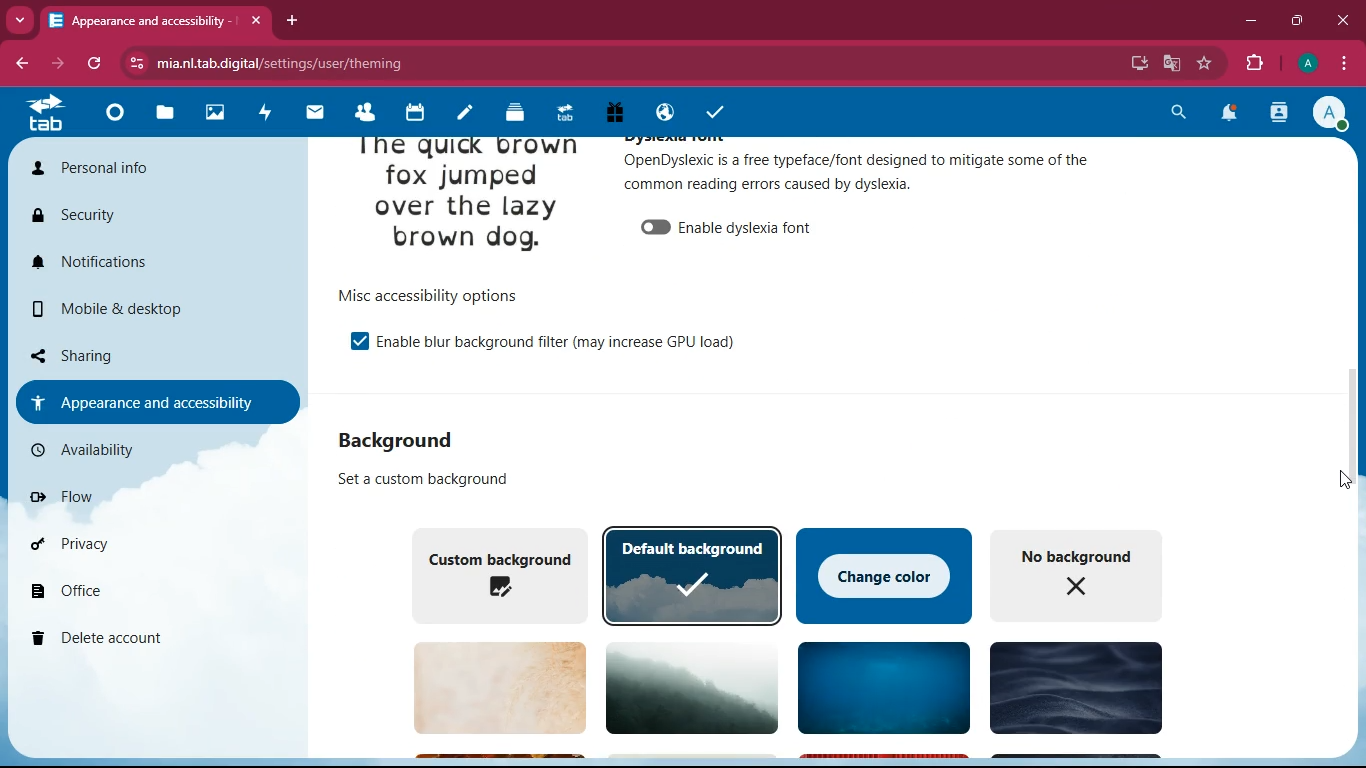 The height and width of the screenshot is (768, 1366). What do you see at coordinates (1300, 19) in the screenshot?
I see `maximize` at bounding box center [1300, 19].